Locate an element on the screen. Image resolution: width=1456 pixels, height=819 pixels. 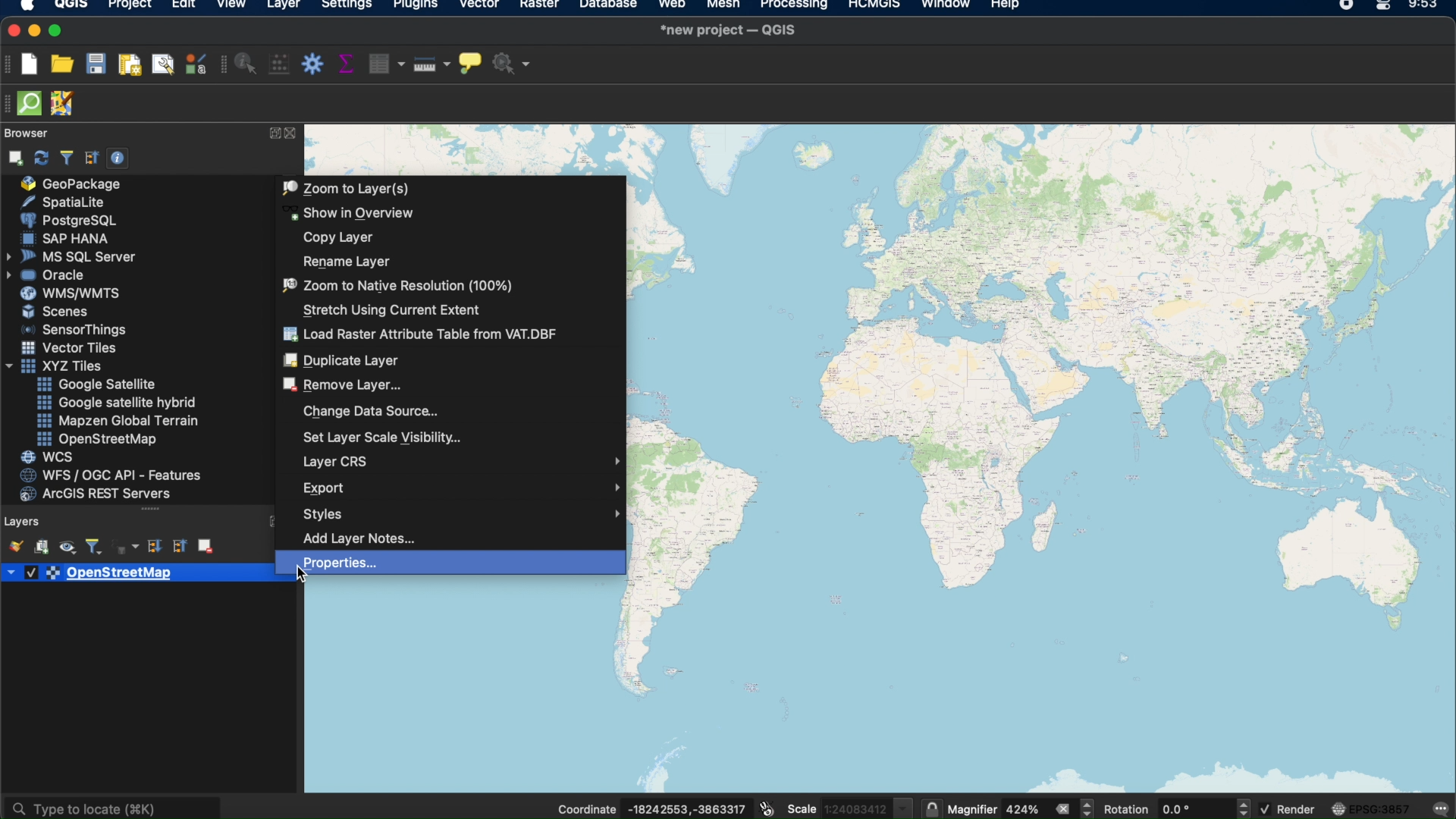
remove layer group is located at coordinates (207, 547).